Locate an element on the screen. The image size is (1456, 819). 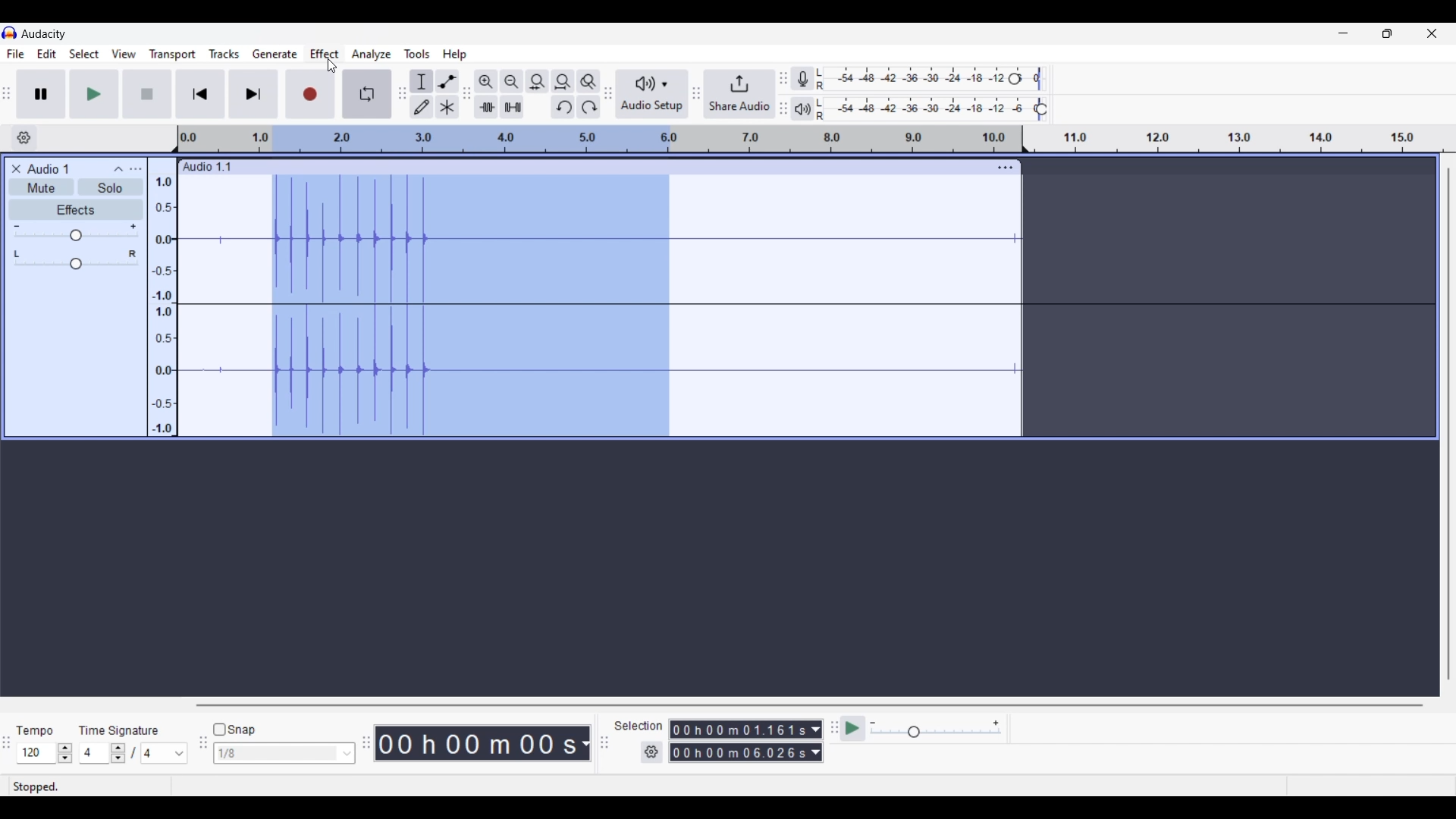
Generate menu is located at coordinates (275, 55).